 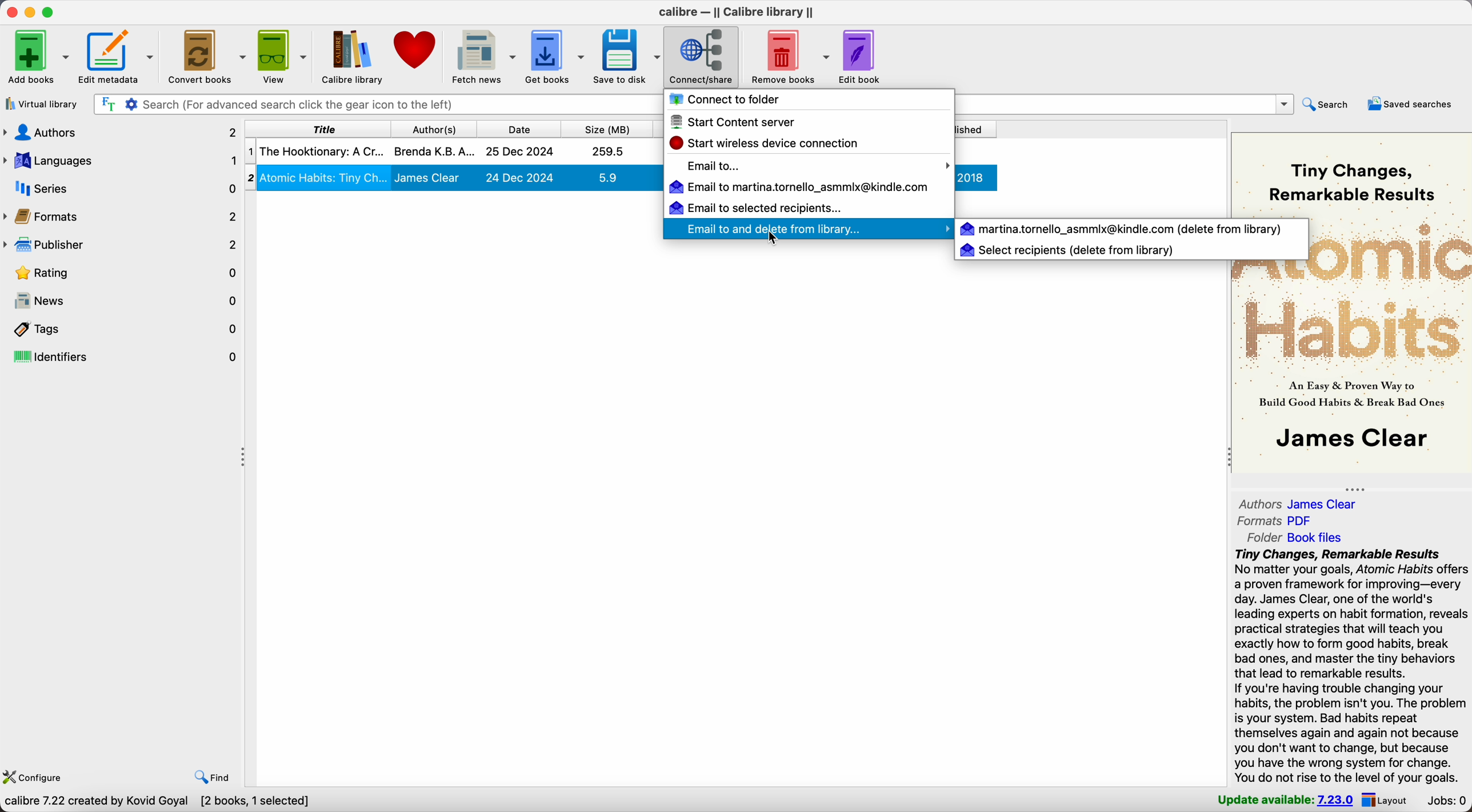 I want to click on Habits, so click(x=1352, y=330).